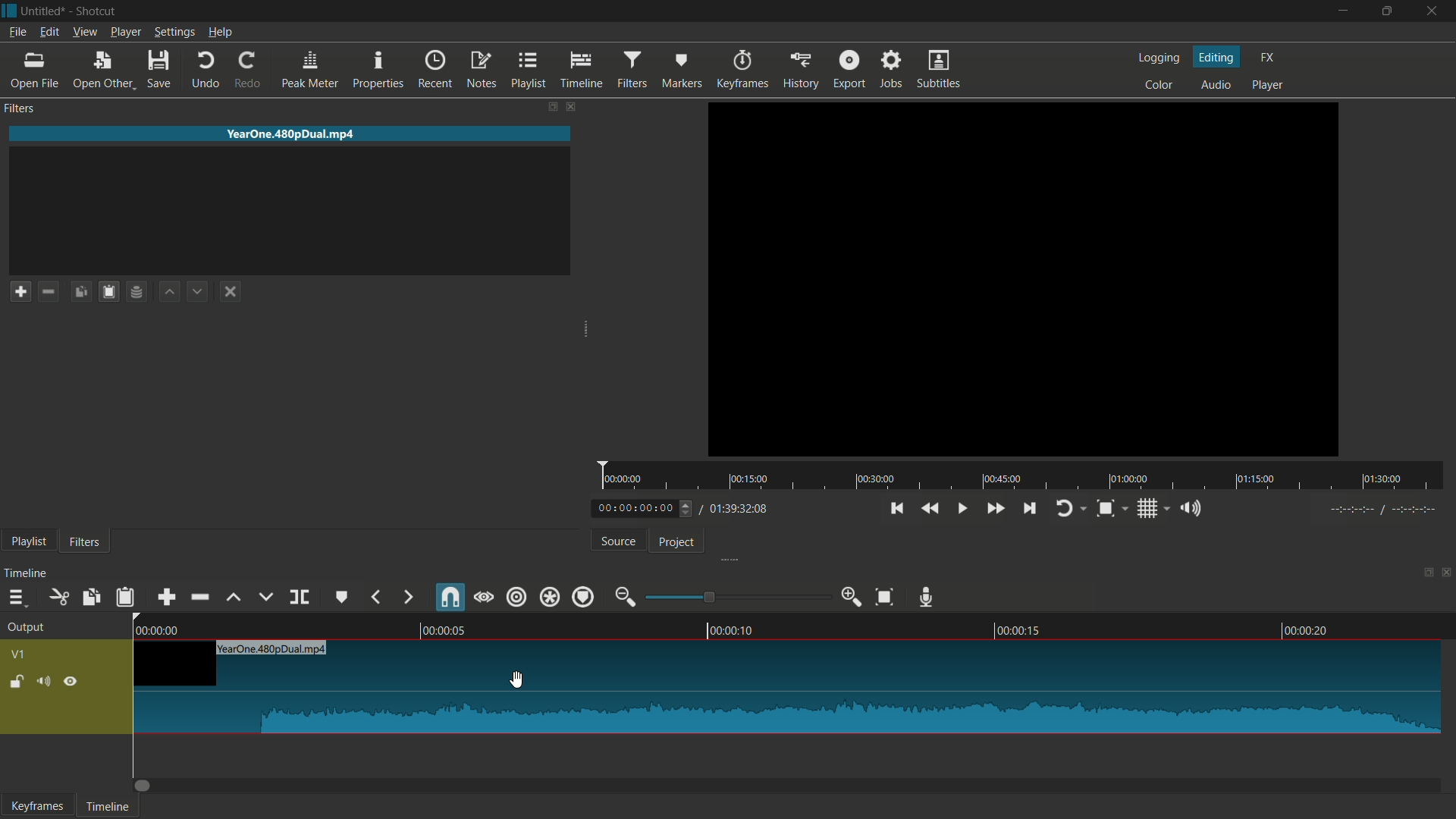 This screenshot has width=1456, height=819. I want to click on project, so click(679, 541).